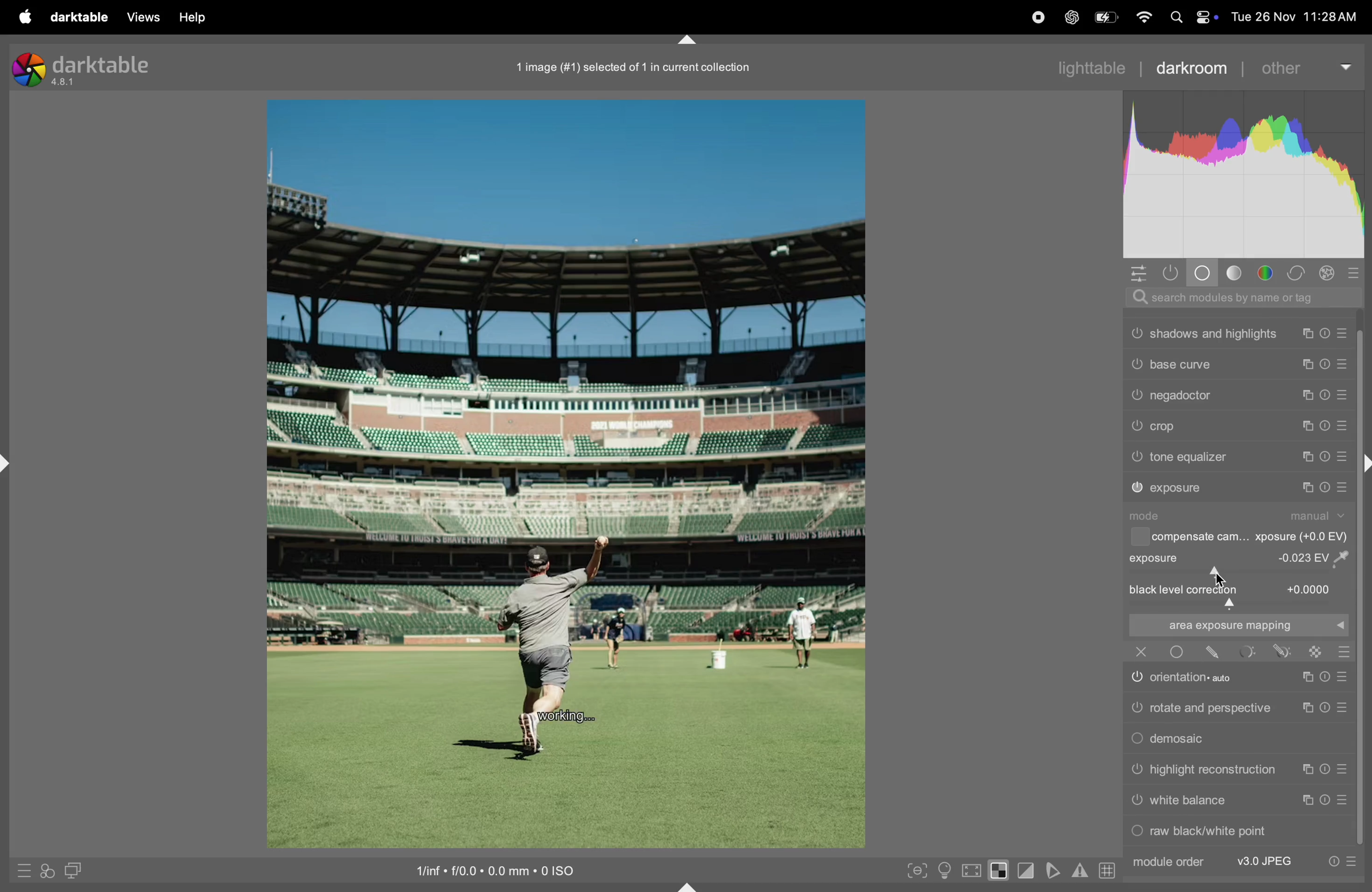 This screenshot has width=1372, height=892. What do you see at coordinates (22, 17) in the screenshot?
I see `apple menu` at bounding box center [22, 17].